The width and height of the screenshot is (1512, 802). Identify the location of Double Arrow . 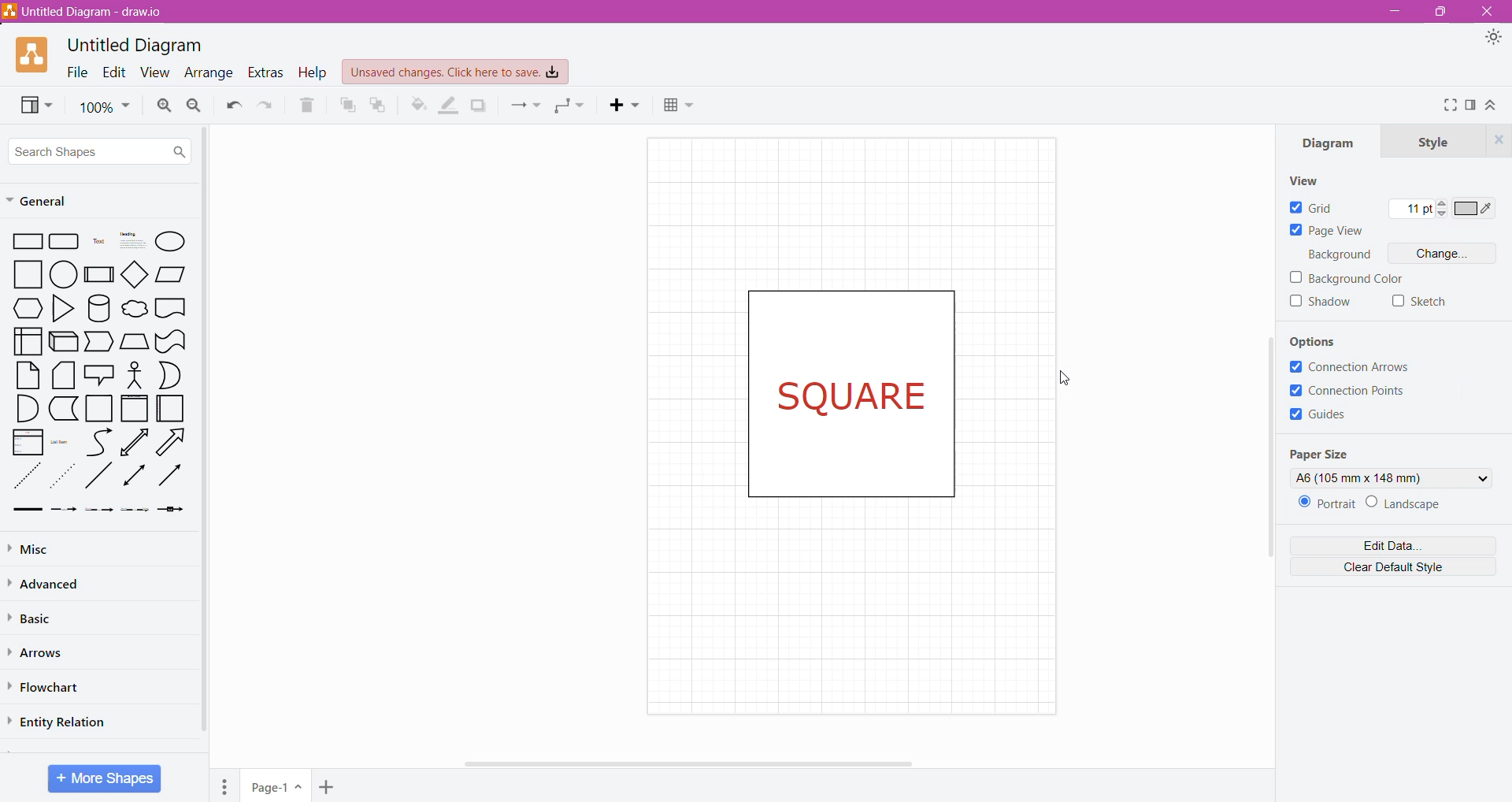
(135, 477).